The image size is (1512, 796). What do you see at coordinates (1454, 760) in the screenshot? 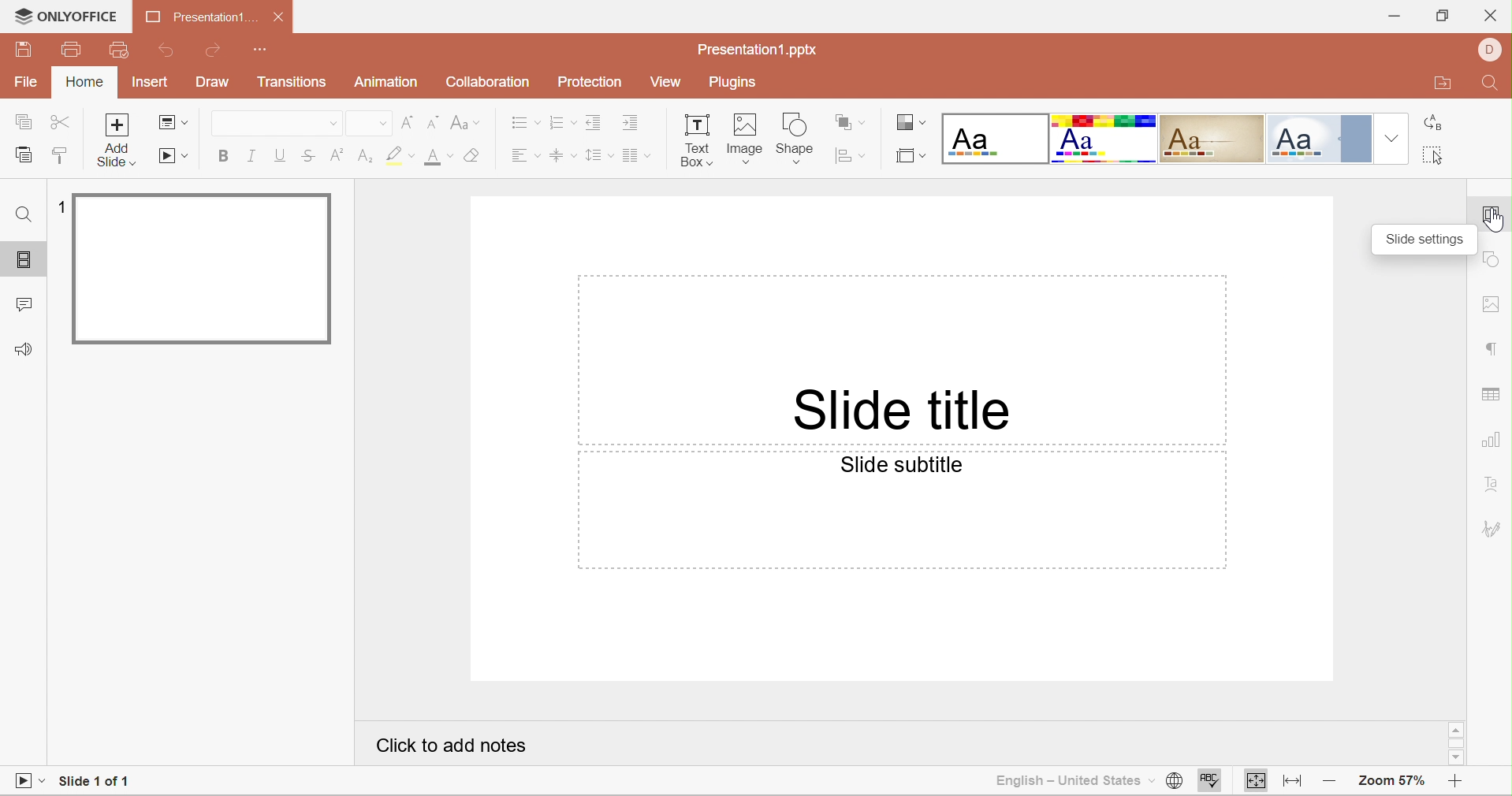
I see `Scroll Down` at bounding box center [1454, 760].